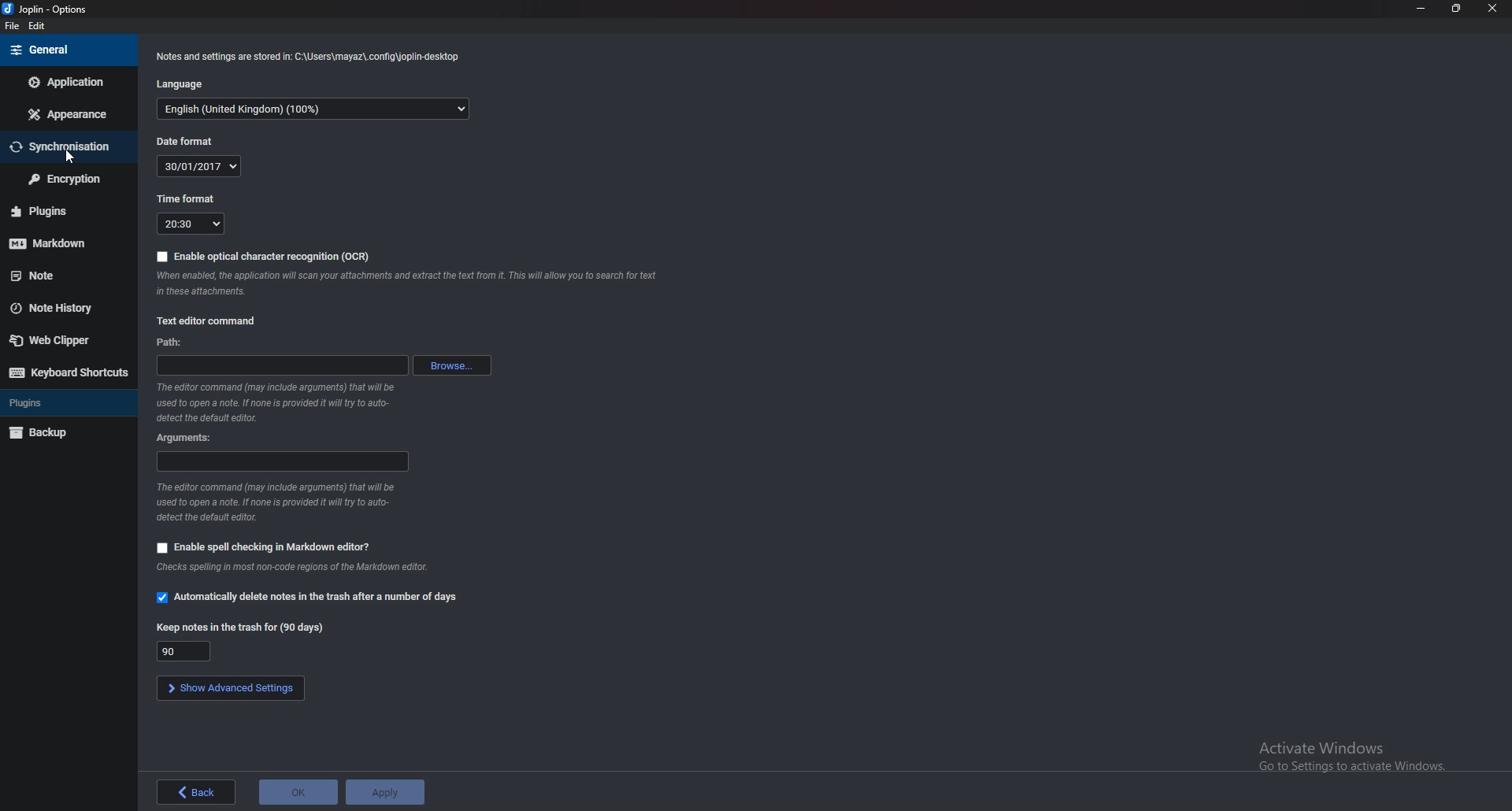 Image resolution: width=1512 pixels, height=811 pixels. What do you see at coordinates (188, 198) in the screenshot?
I see `time format` at bounding box center [188, 198].